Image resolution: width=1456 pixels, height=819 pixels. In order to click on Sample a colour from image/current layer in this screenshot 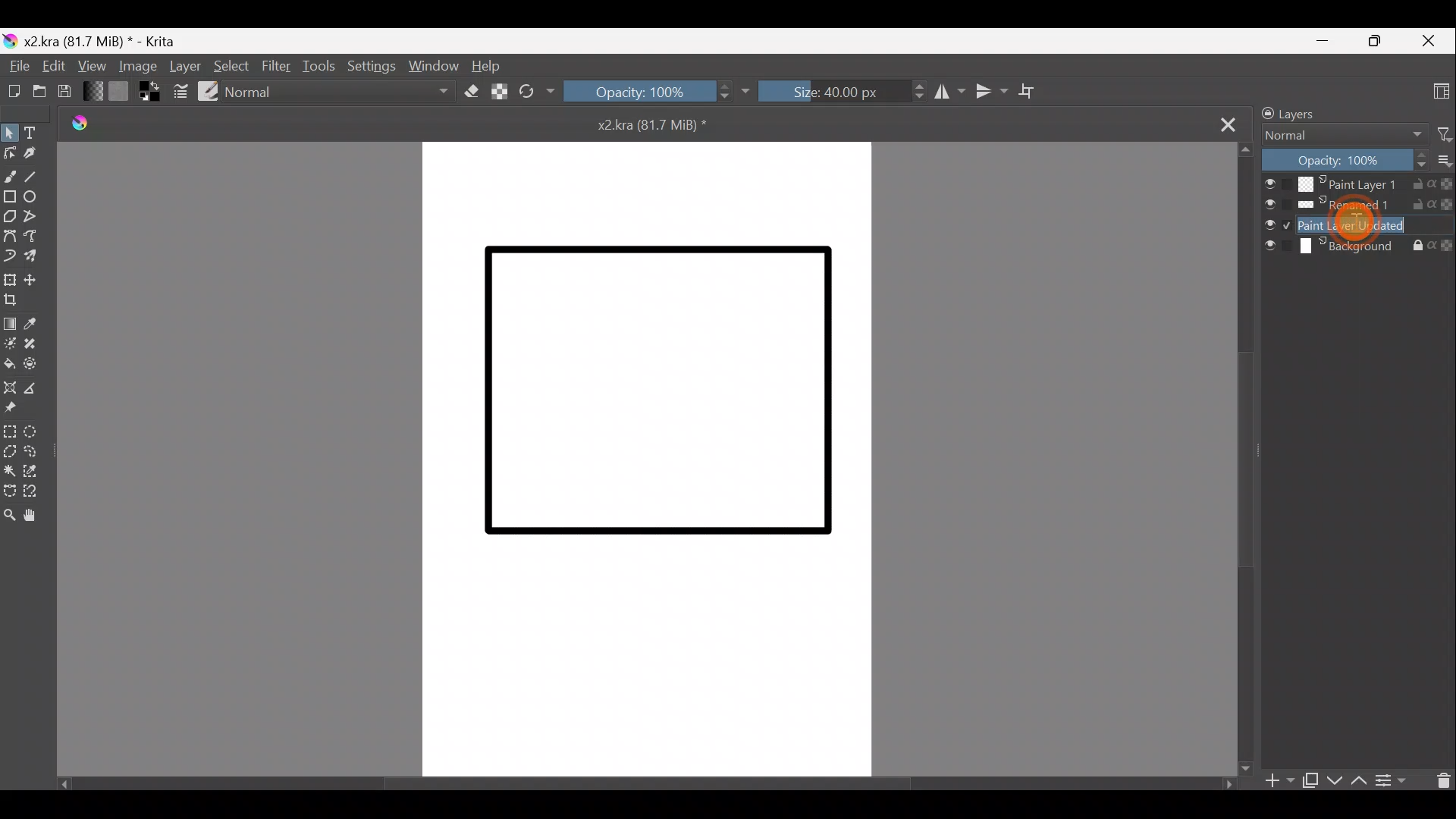, I will do `click(37, 324)`.